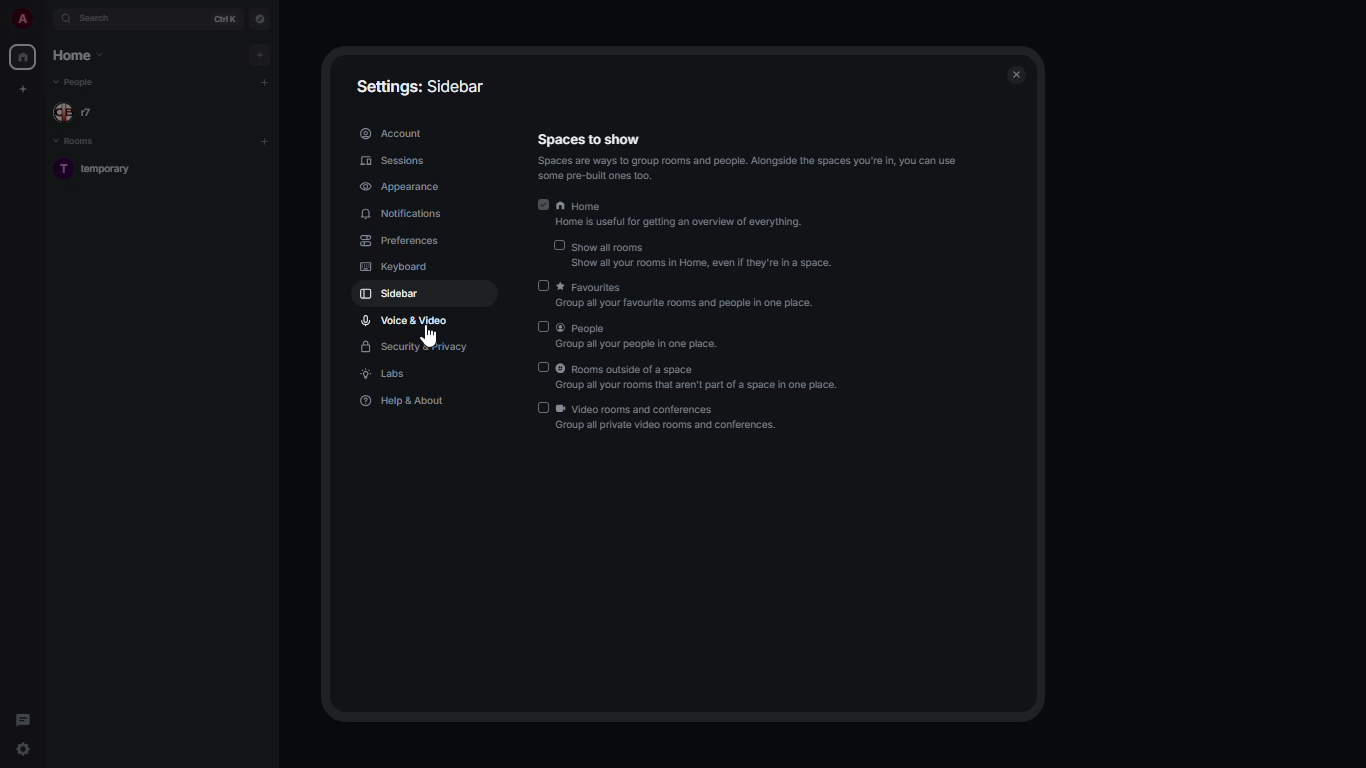 This screenshot has width=1366, height=768. What do you see at coordinates (1016, 74) in the screenshot?
I see `close` at bounding box center [1016, 74].